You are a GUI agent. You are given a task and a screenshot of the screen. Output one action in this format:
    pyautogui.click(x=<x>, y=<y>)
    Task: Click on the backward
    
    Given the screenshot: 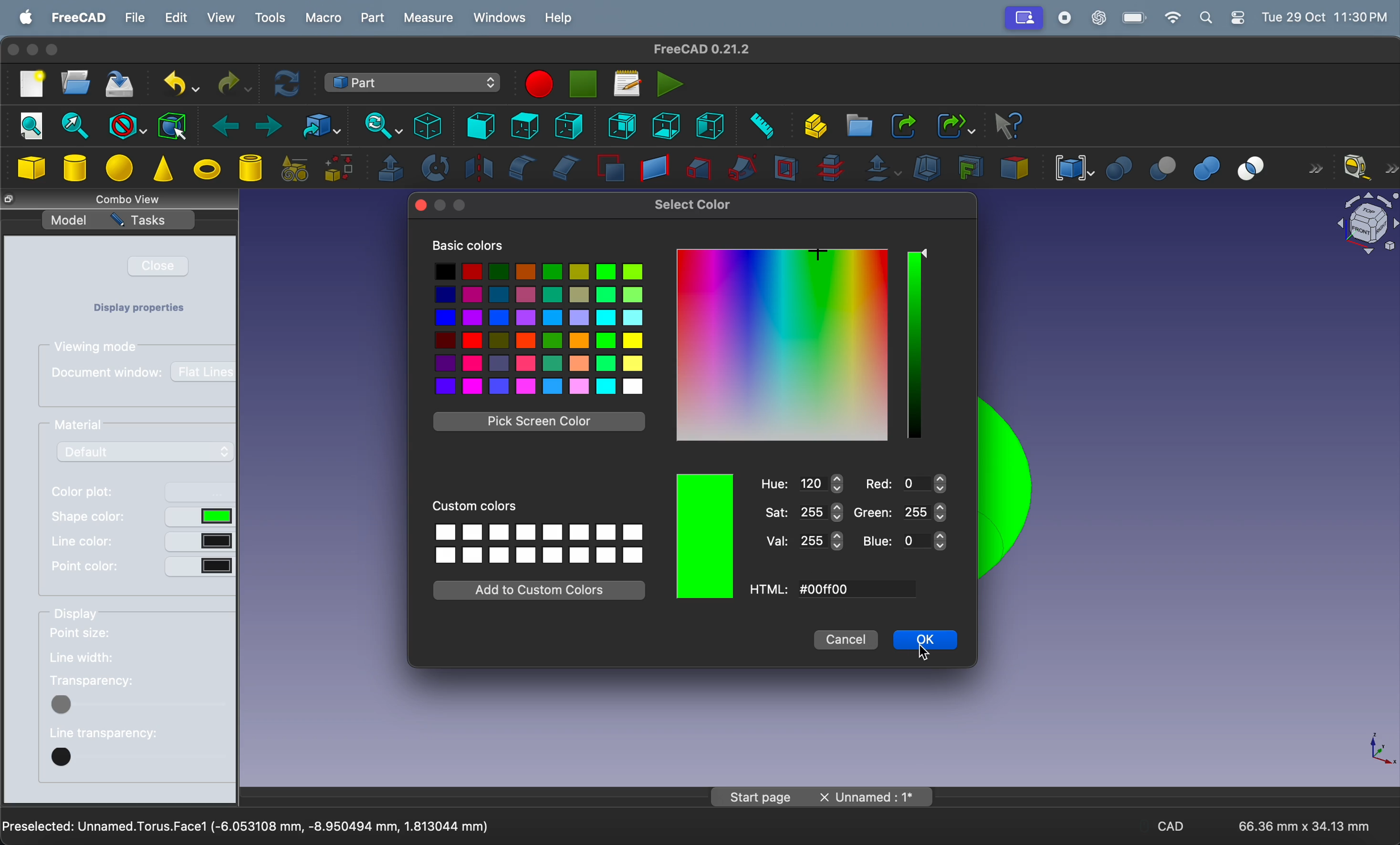 What is the action you would take?
    pyautogui.click(x=219, y=124)
    